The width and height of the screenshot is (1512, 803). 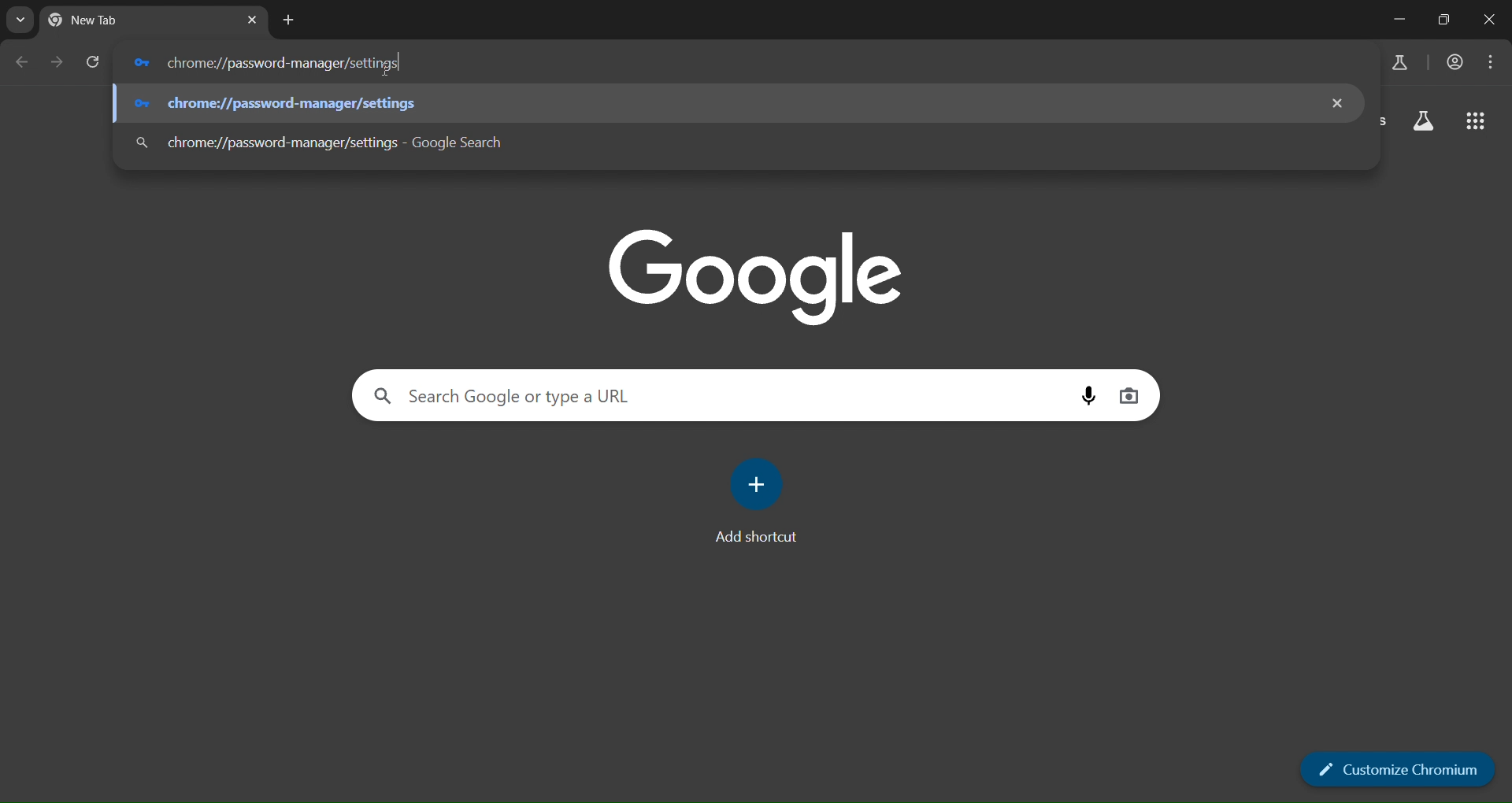 What do you see at coordinates (54, 61) in the screenshot?
I see `go forward one page` at bounding box center [54, 61].